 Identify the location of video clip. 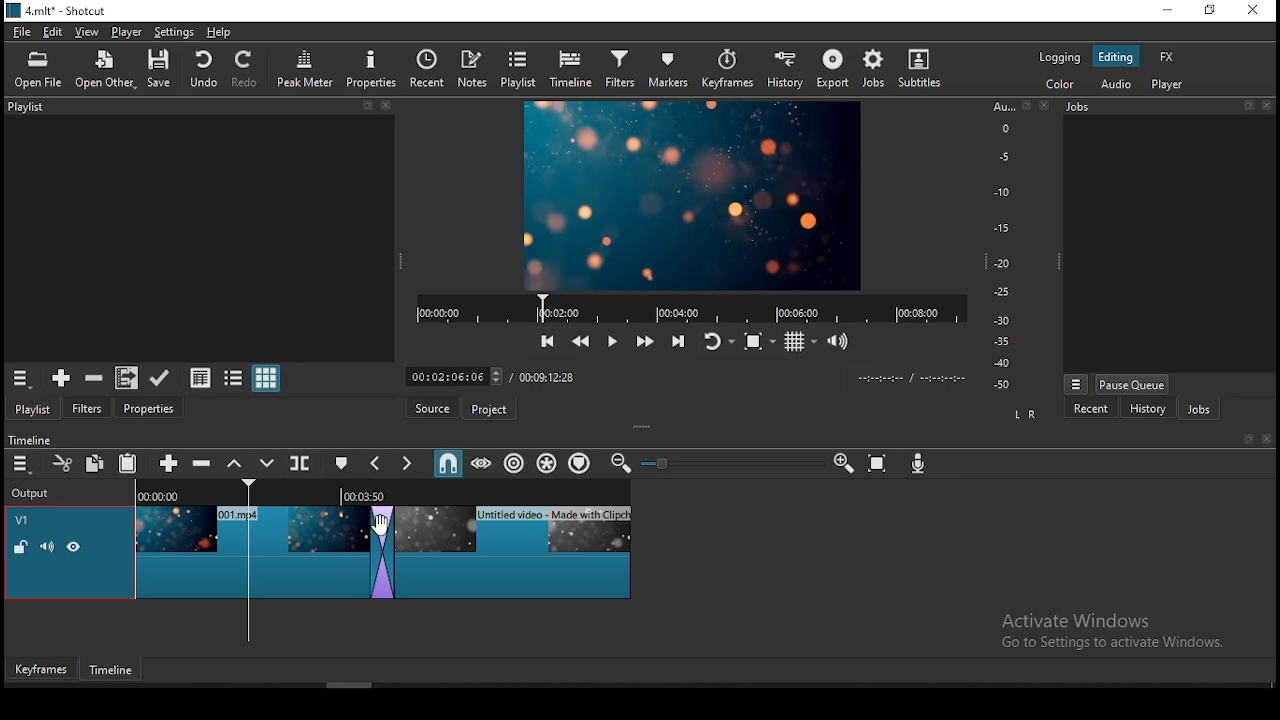
(517, 550).